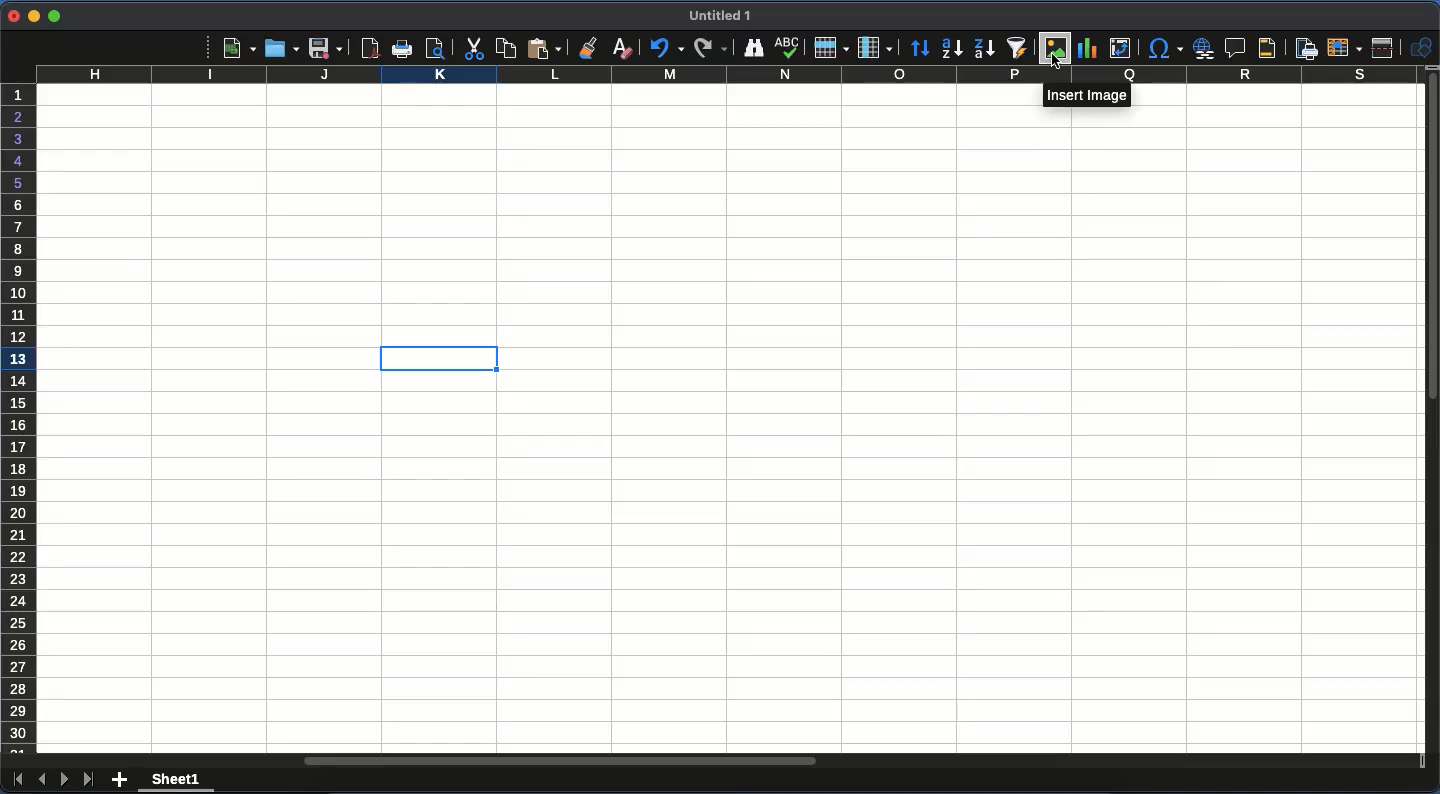 The image size is (1440, 794). What do you see at coordinates (545, 47) in the screenshot?
I see `paste` at bounding box center [545, 47].